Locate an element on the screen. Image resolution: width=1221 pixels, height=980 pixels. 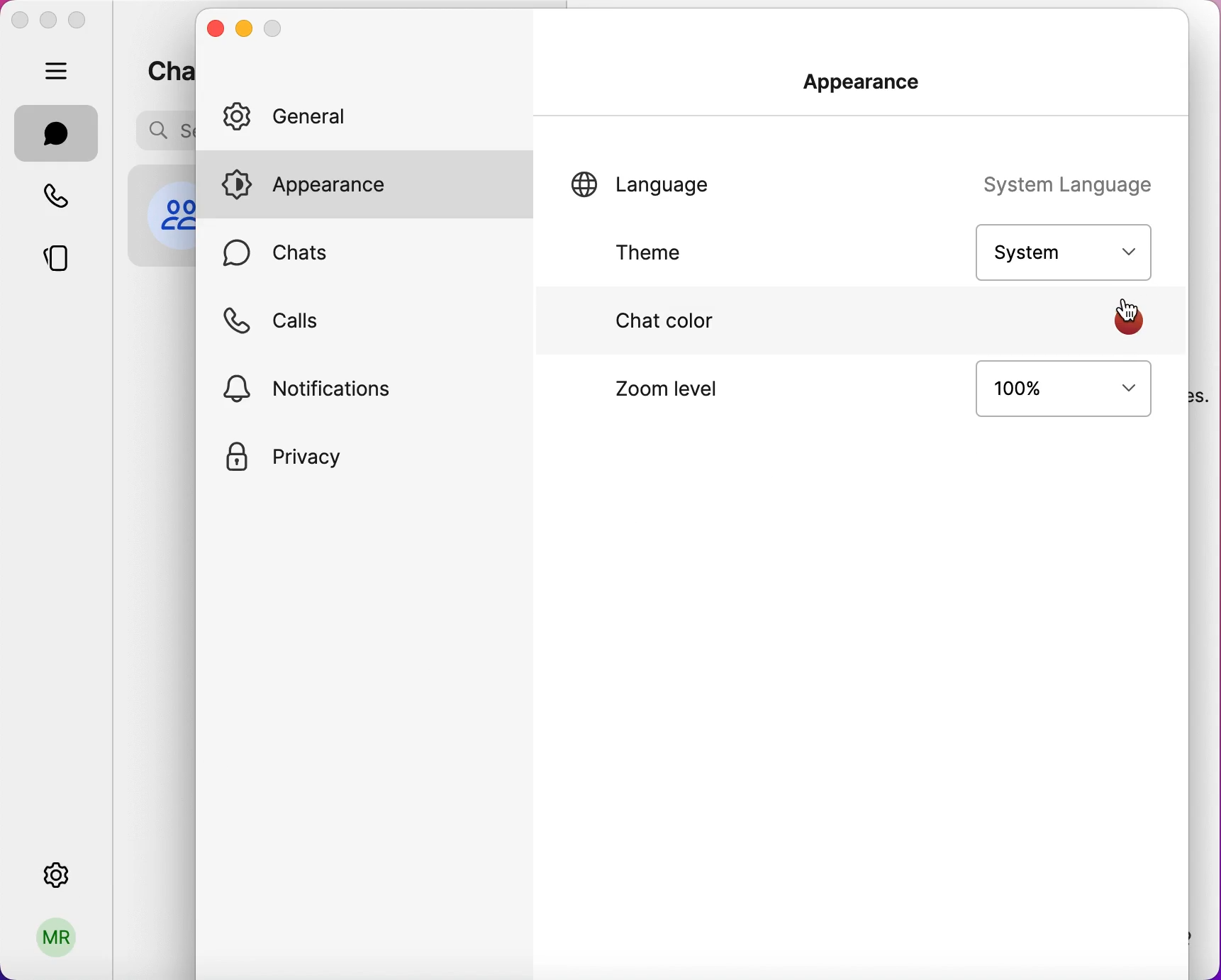
maximize is located at coordinates (273, 30).